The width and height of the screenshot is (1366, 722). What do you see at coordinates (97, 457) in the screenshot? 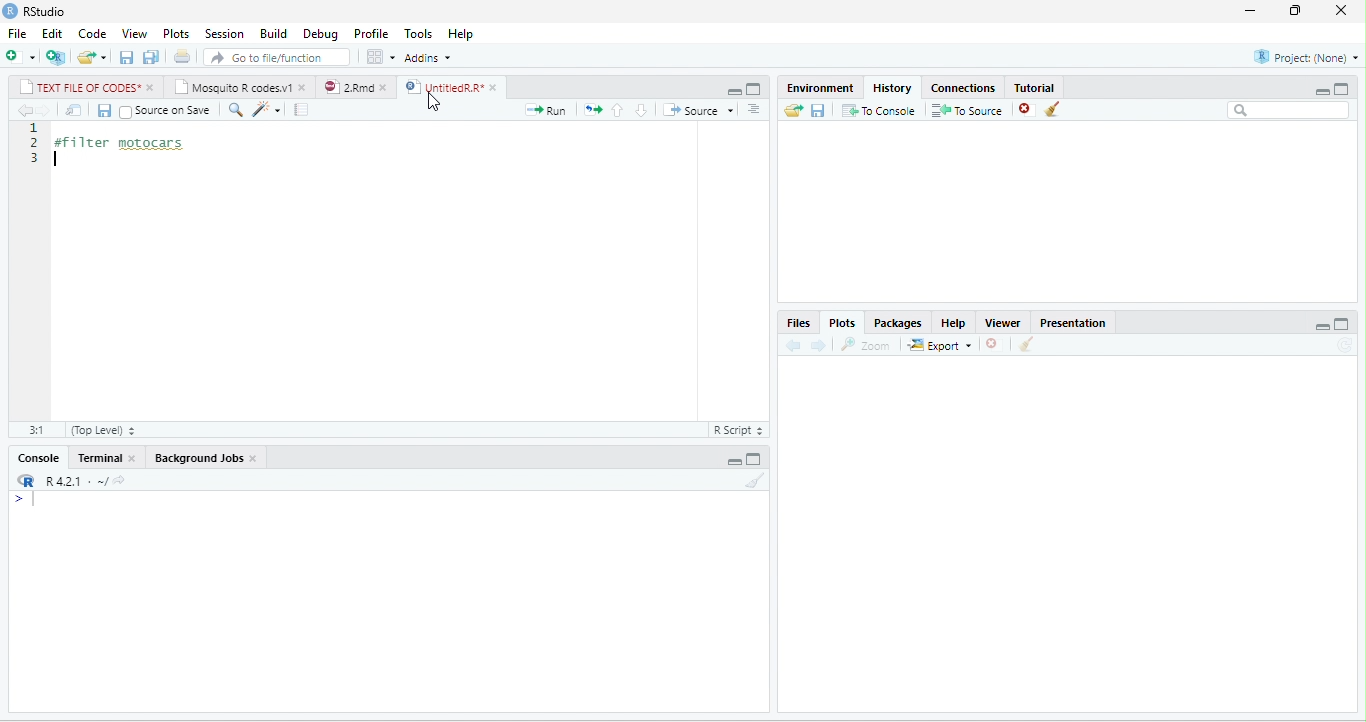
I see `Terminal` at bounding box center [97, 457].